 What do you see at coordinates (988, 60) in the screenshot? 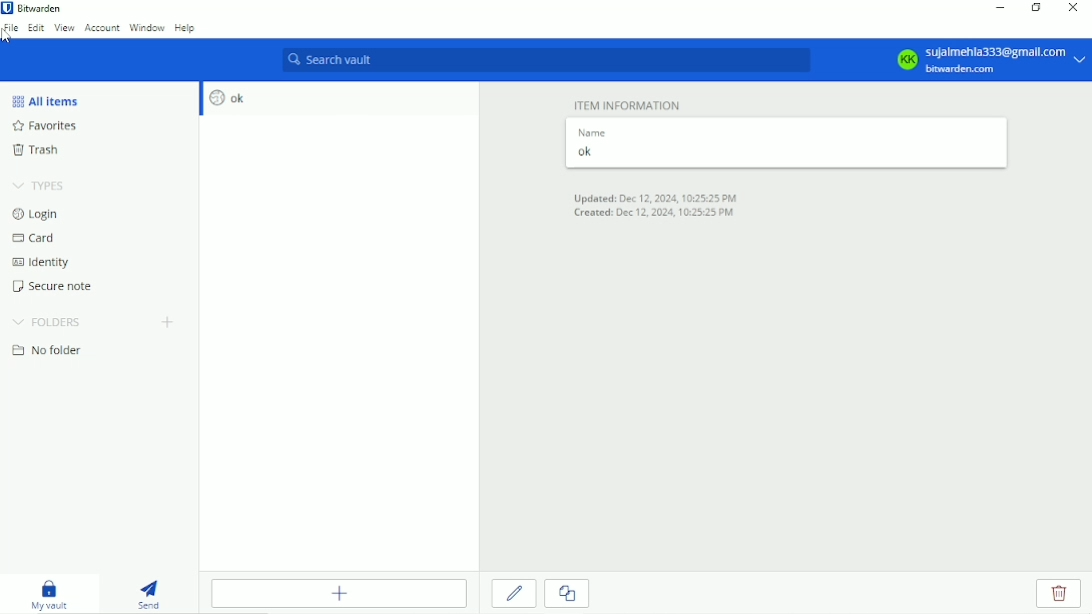
I see `KK sujalmehla333@gmail.com       bitwarden.com` at bounding box center [988, 60].